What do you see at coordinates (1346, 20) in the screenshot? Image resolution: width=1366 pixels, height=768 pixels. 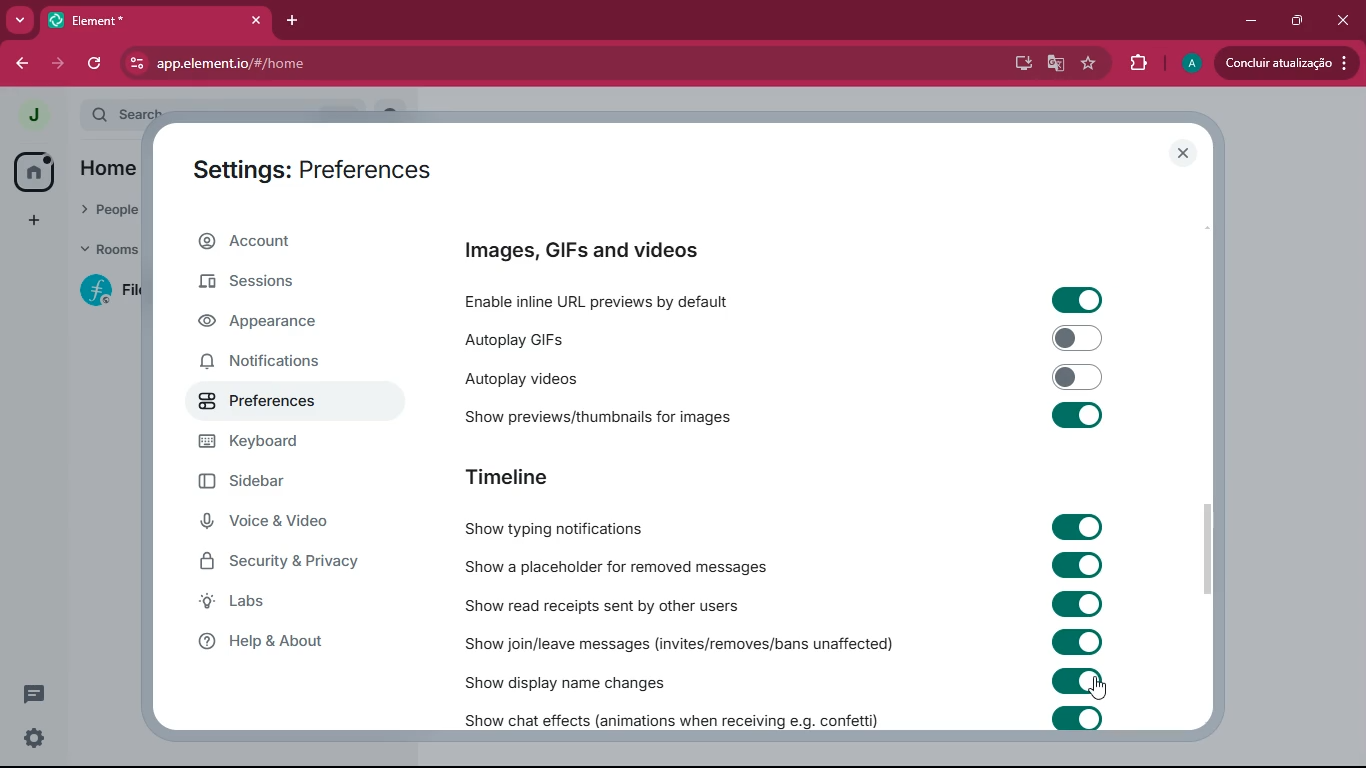 I see `close` at bounding box center [1346, 20].